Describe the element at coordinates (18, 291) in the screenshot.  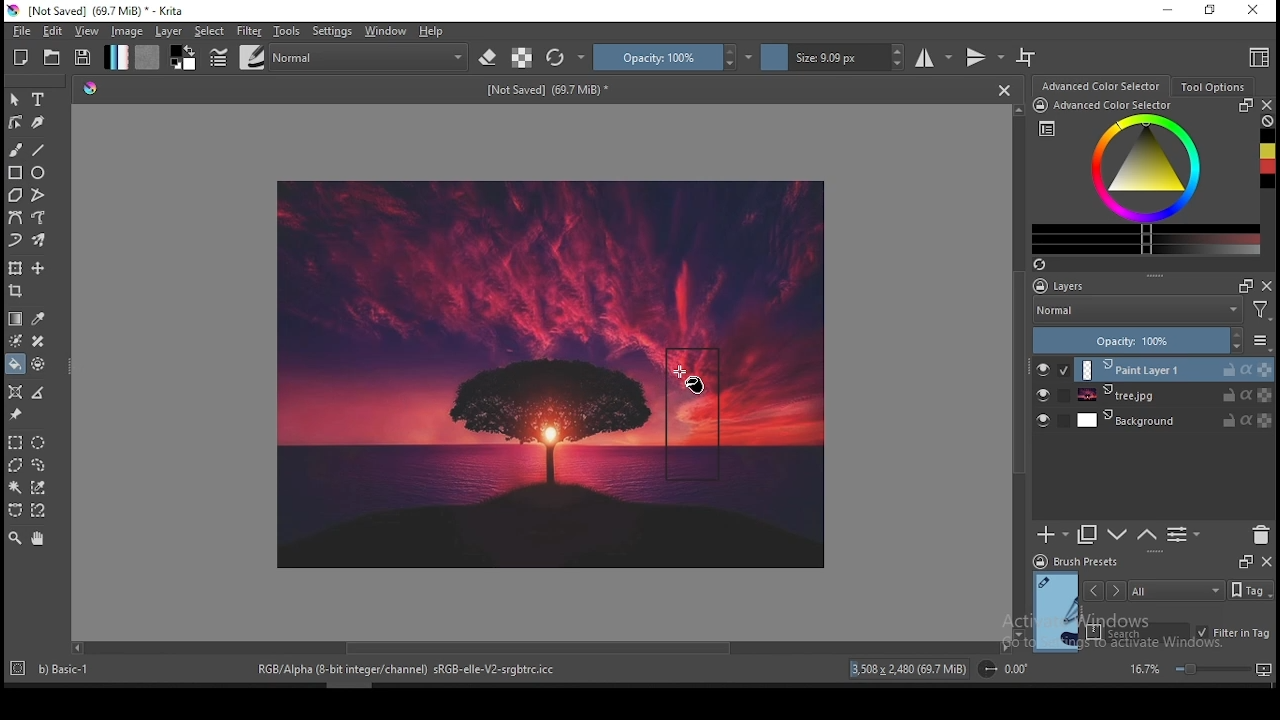
I see `crop tool` at that location.